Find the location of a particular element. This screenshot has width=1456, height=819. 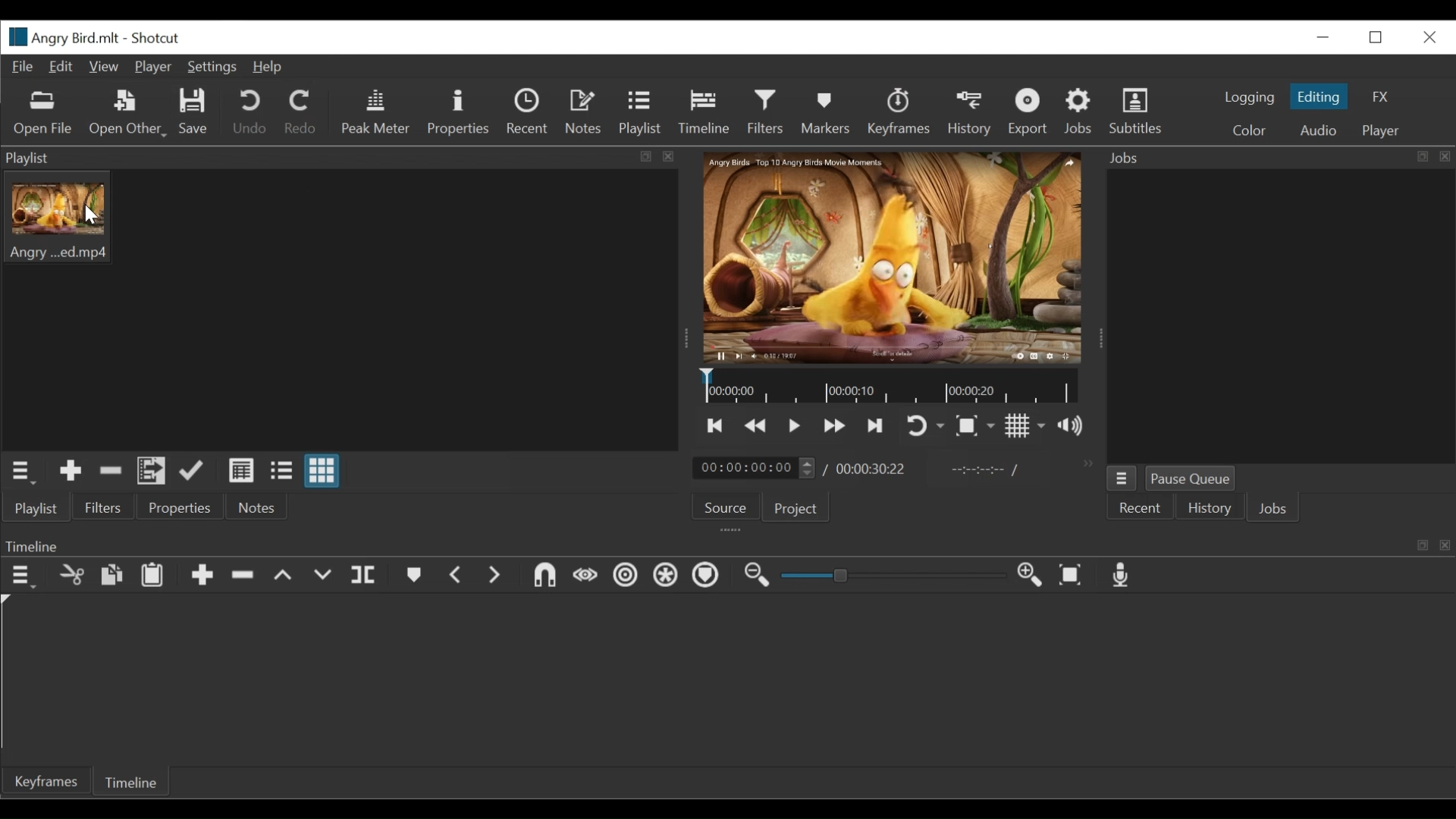

scrub wile dragging is located at coordinates (585, 575).